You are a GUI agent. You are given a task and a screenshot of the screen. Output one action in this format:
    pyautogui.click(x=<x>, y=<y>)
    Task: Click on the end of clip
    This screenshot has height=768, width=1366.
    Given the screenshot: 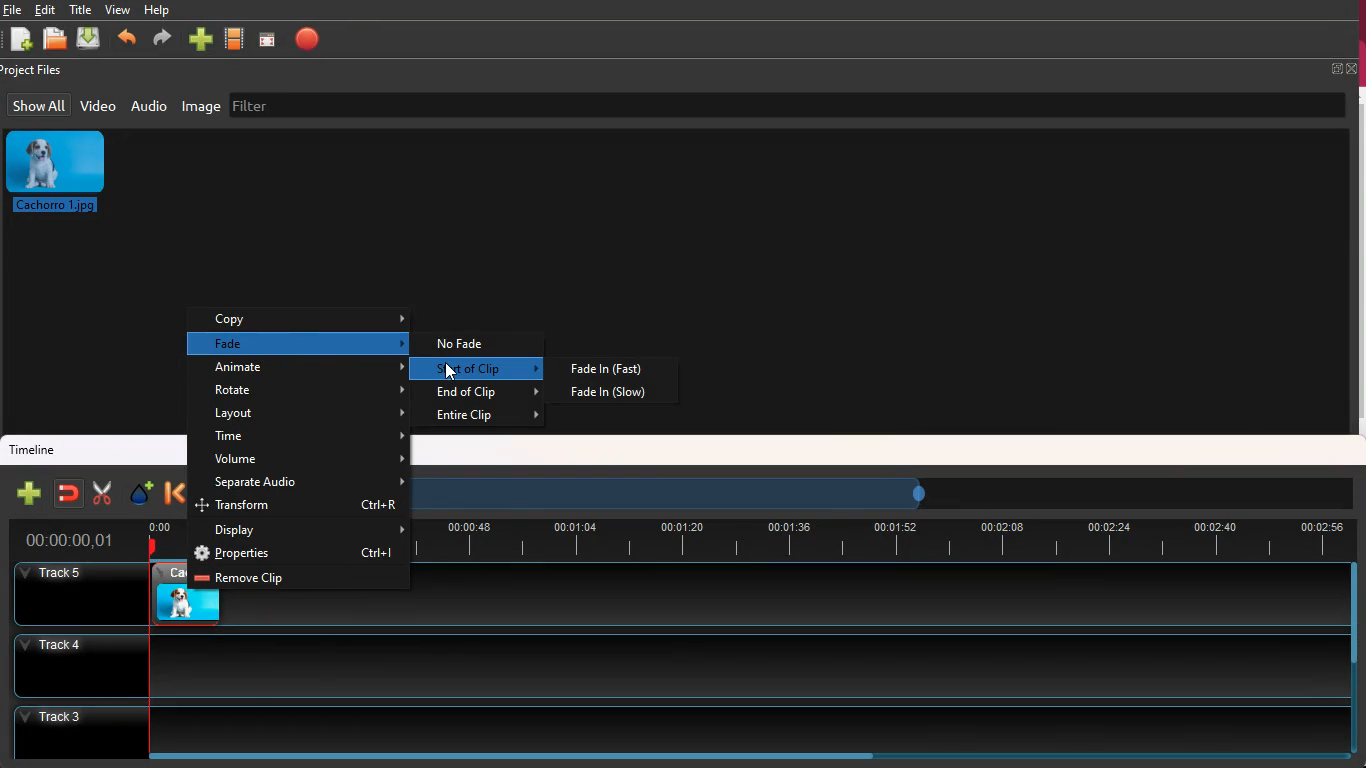 What is the action you would take?
    pyautogui.click(x=485, y=392)
    